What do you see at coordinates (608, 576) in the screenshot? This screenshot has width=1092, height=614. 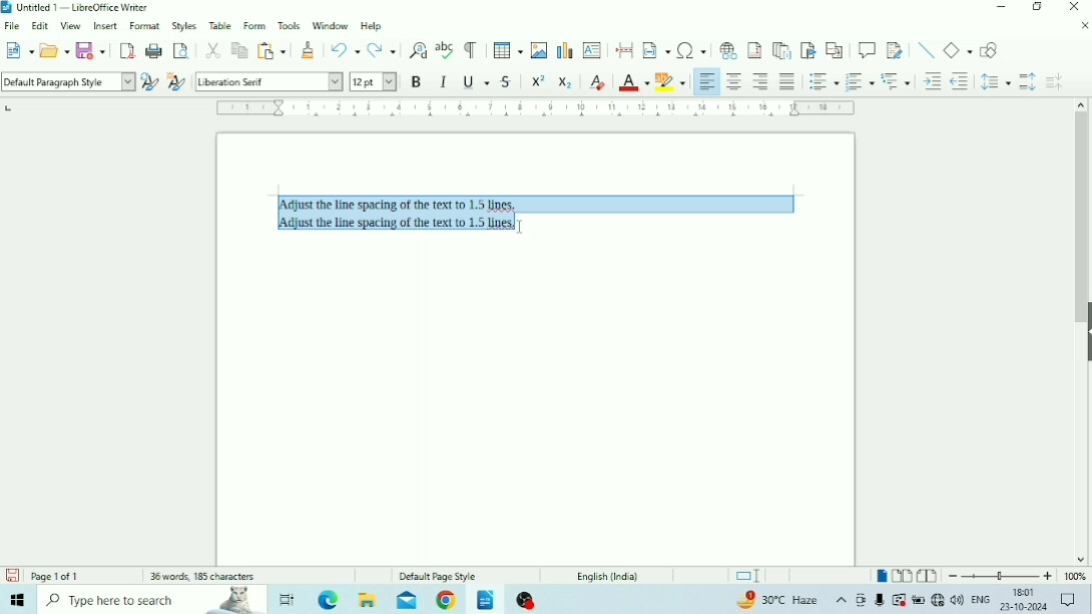 I see `Language` at bounding box center [608, 576].